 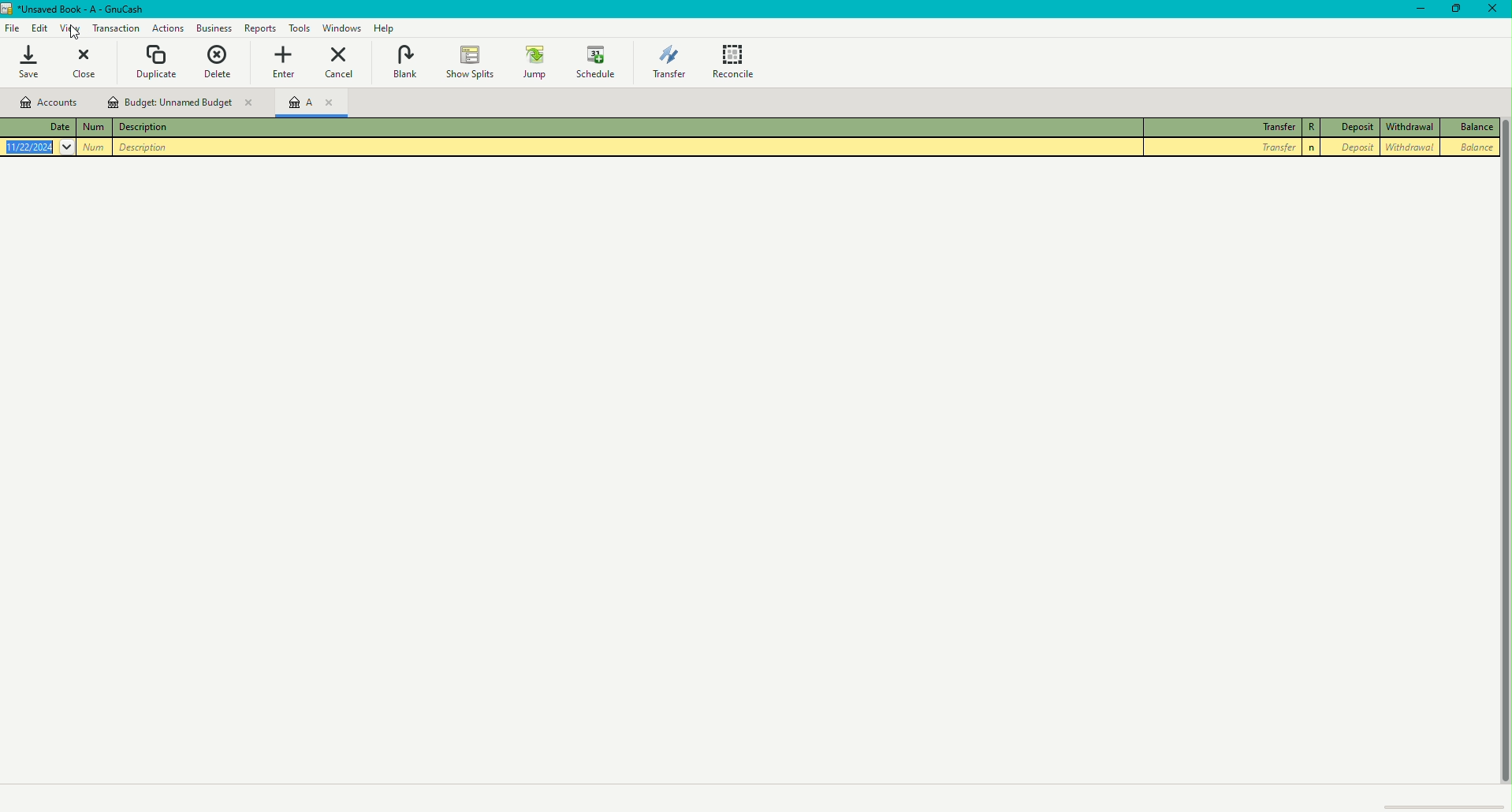 What do you see at coordinates (41, 28) in the screenshot?
I see `Edit` at bounding box center [41, 28].